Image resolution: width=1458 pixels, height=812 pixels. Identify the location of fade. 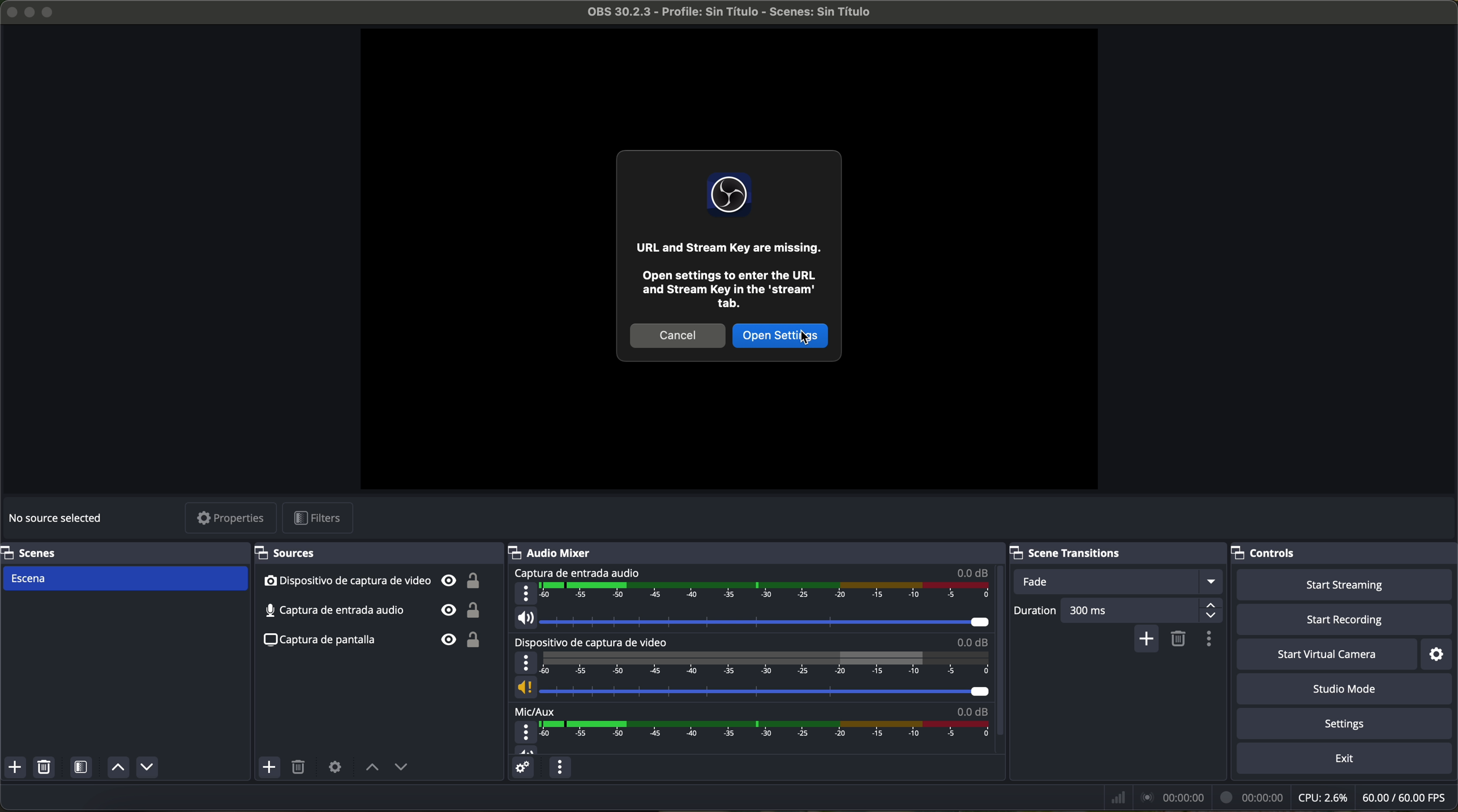
(1121, 582).